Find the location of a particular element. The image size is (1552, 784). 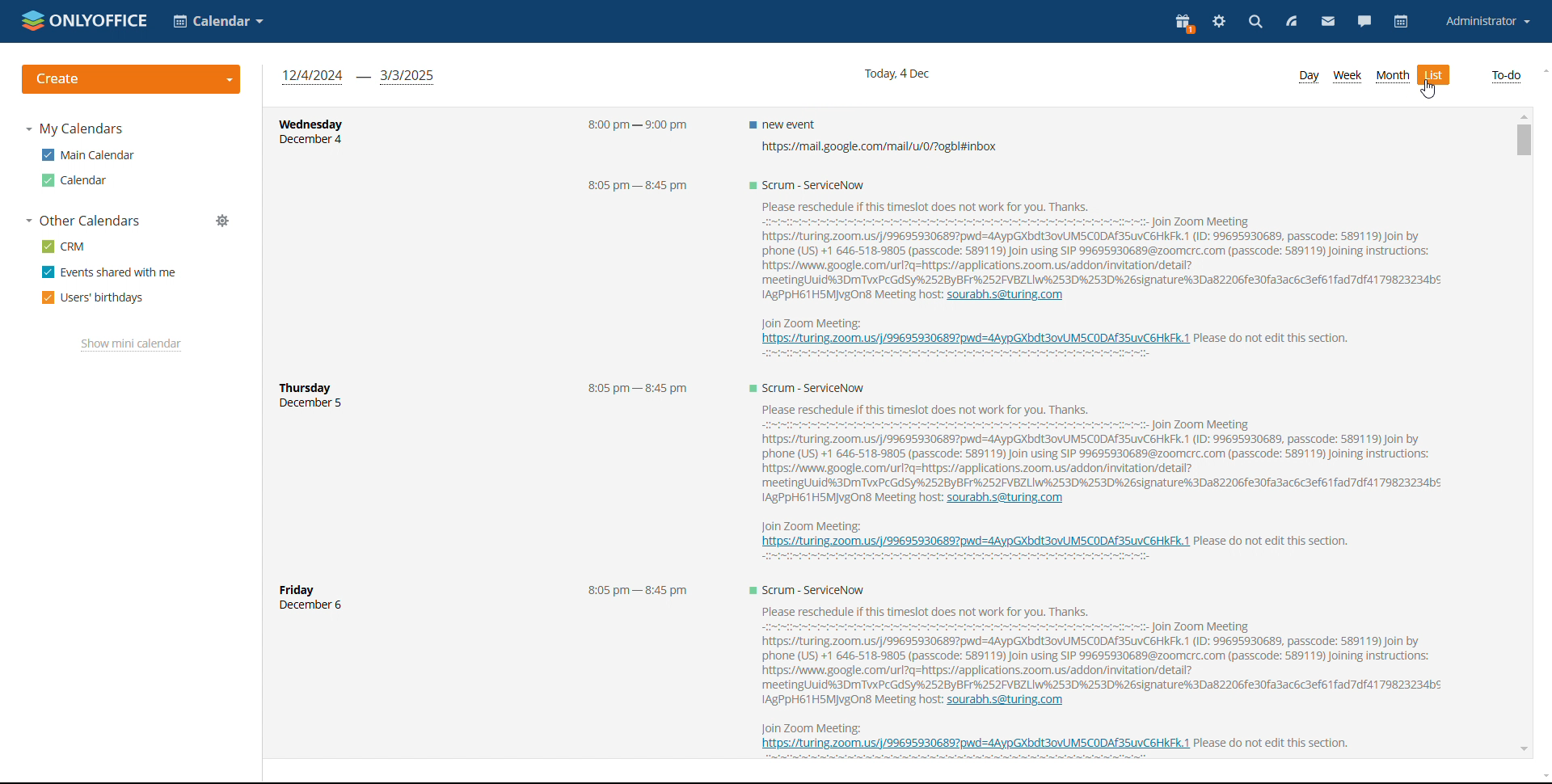

scroll down is located at coordinates (1541, 773).